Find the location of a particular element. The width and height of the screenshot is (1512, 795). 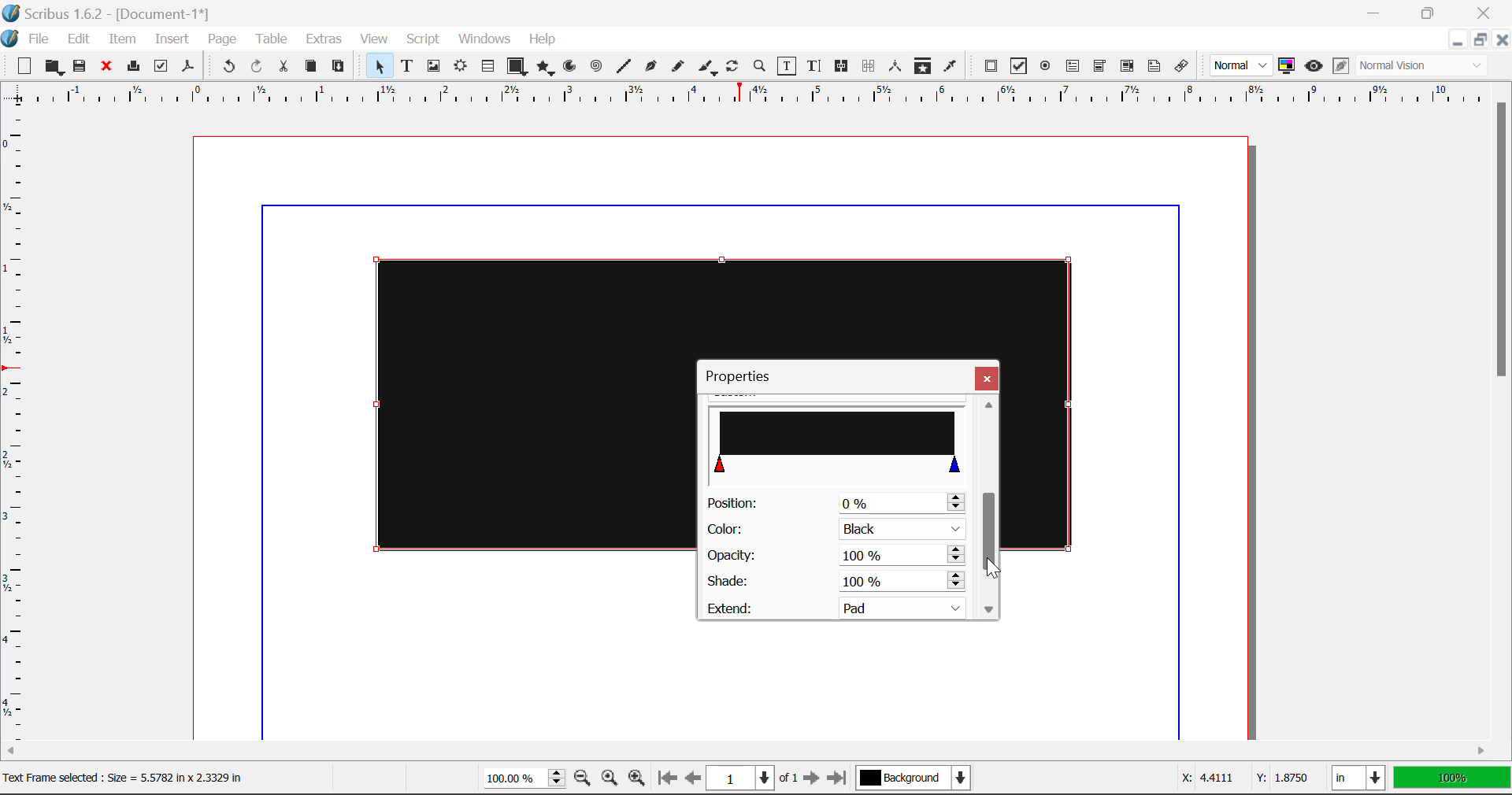

Visual Appearance Type is located at coordinates (1423, 67).